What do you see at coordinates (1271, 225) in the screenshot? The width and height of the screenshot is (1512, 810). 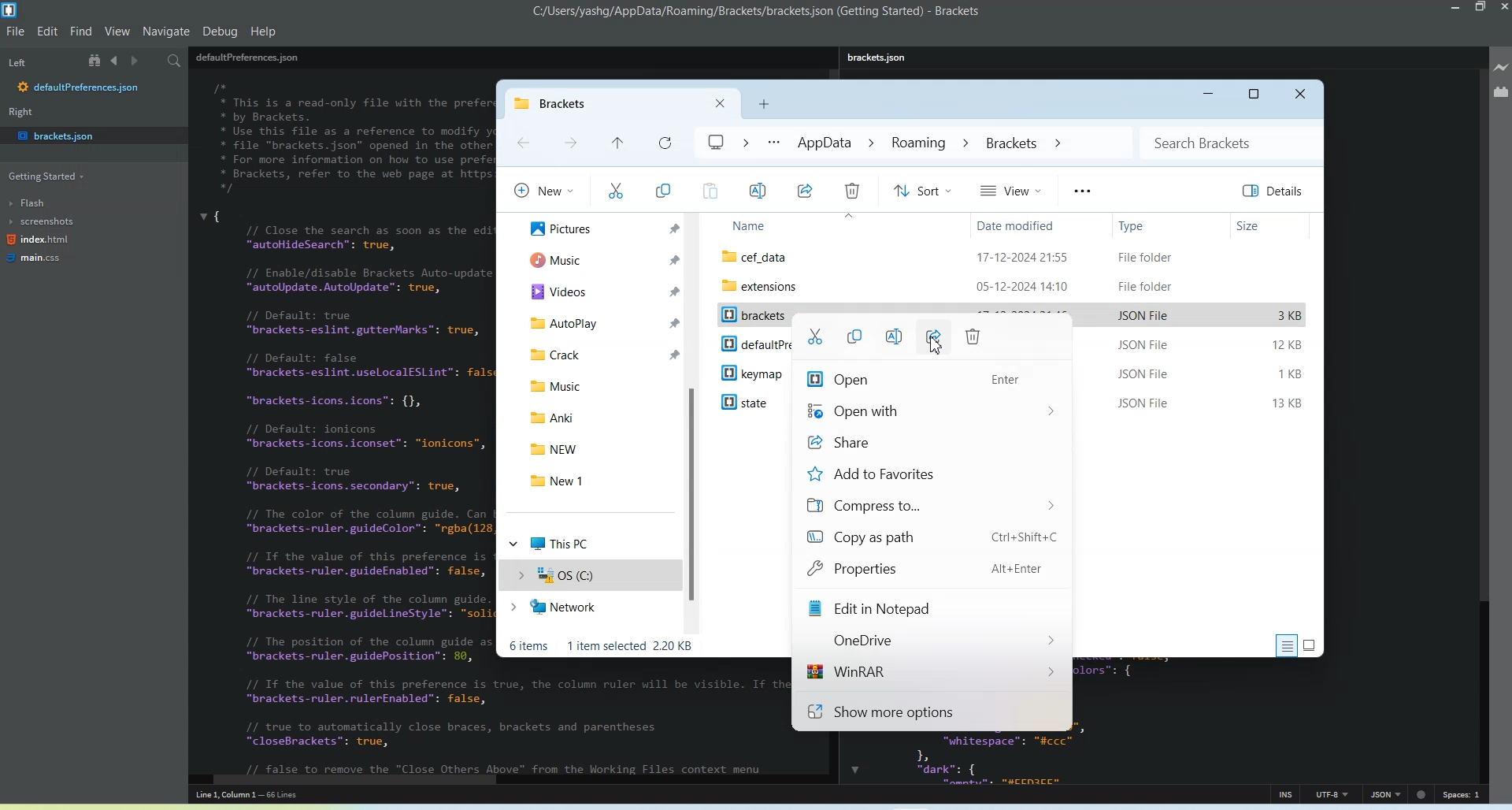 I see `Size` at bounding box center [1271, 225].